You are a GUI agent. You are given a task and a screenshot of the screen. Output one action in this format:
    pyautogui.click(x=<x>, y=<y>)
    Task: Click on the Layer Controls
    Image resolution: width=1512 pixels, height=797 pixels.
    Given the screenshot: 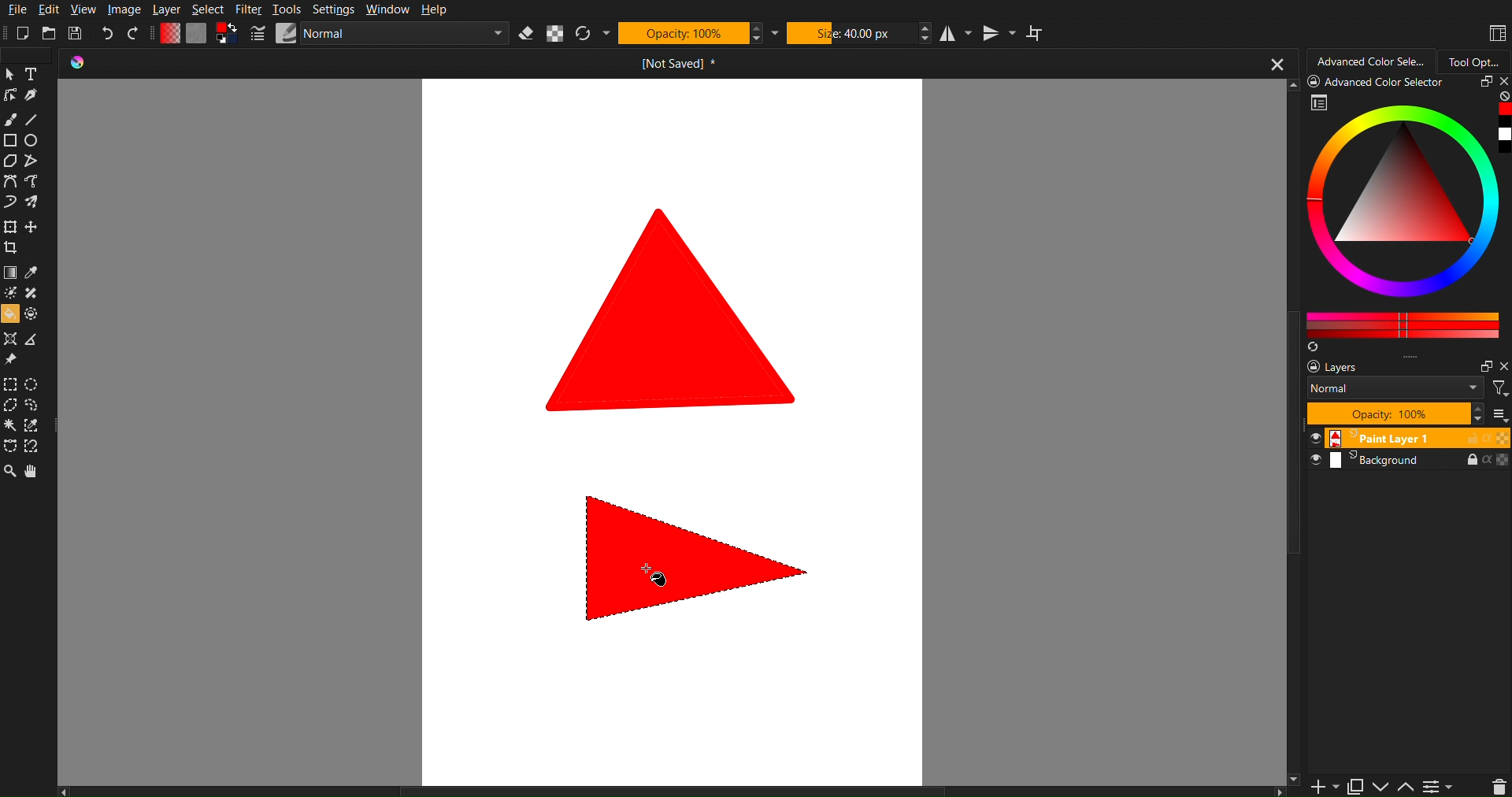 What is the action you would take?
    pyautogui.click(x=1499, y=786)
    